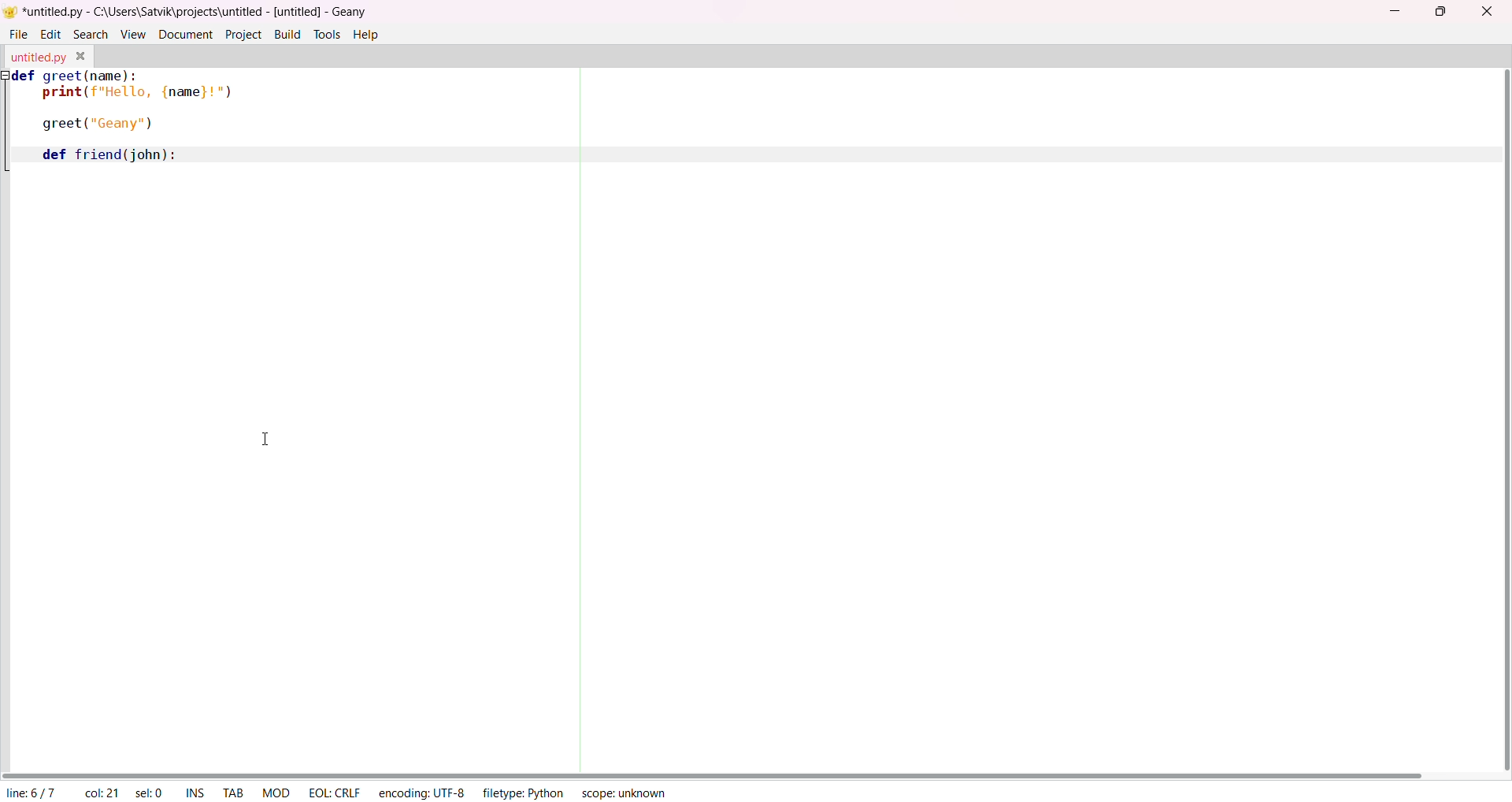 The image size is (1512, 802). Describe the element at coordinates (134, 35) in the screenshot. I see `view` at that location.